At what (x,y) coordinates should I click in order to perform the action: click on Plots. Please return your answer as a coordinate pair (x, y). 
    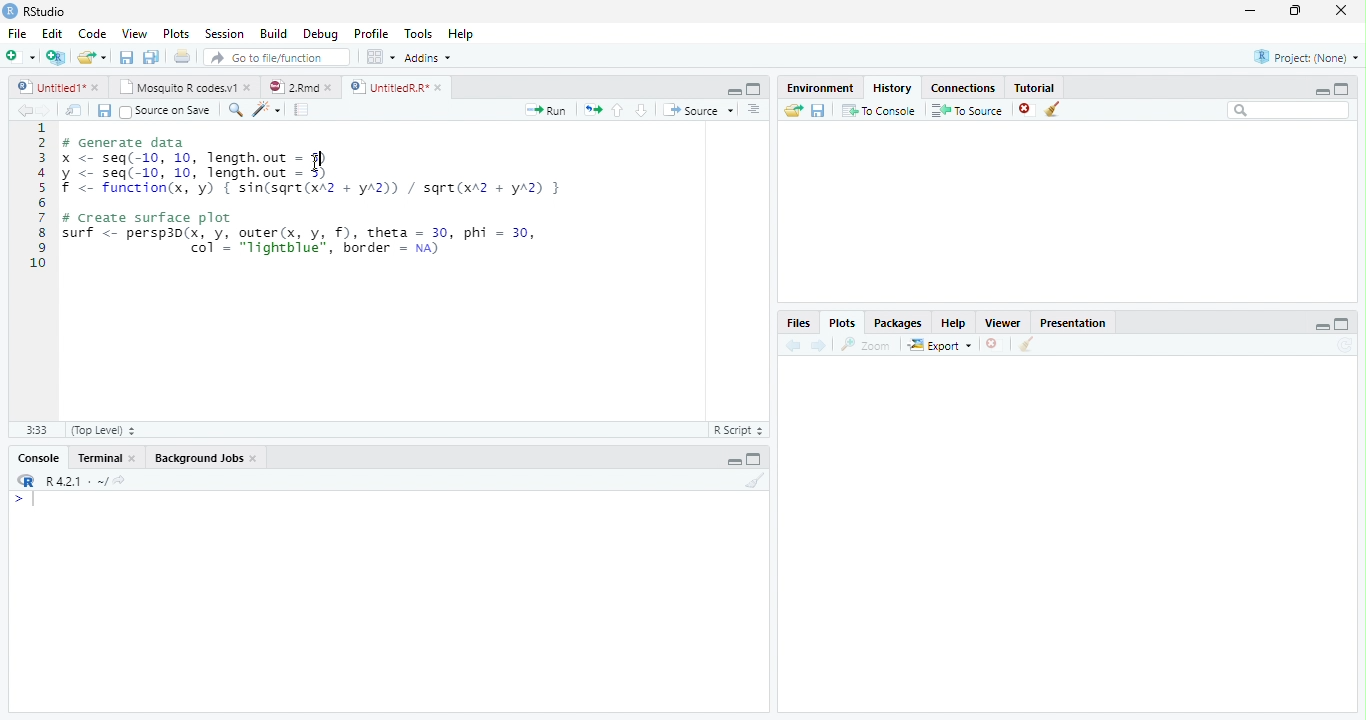
    Looking at the image, I should click on (175, 33).